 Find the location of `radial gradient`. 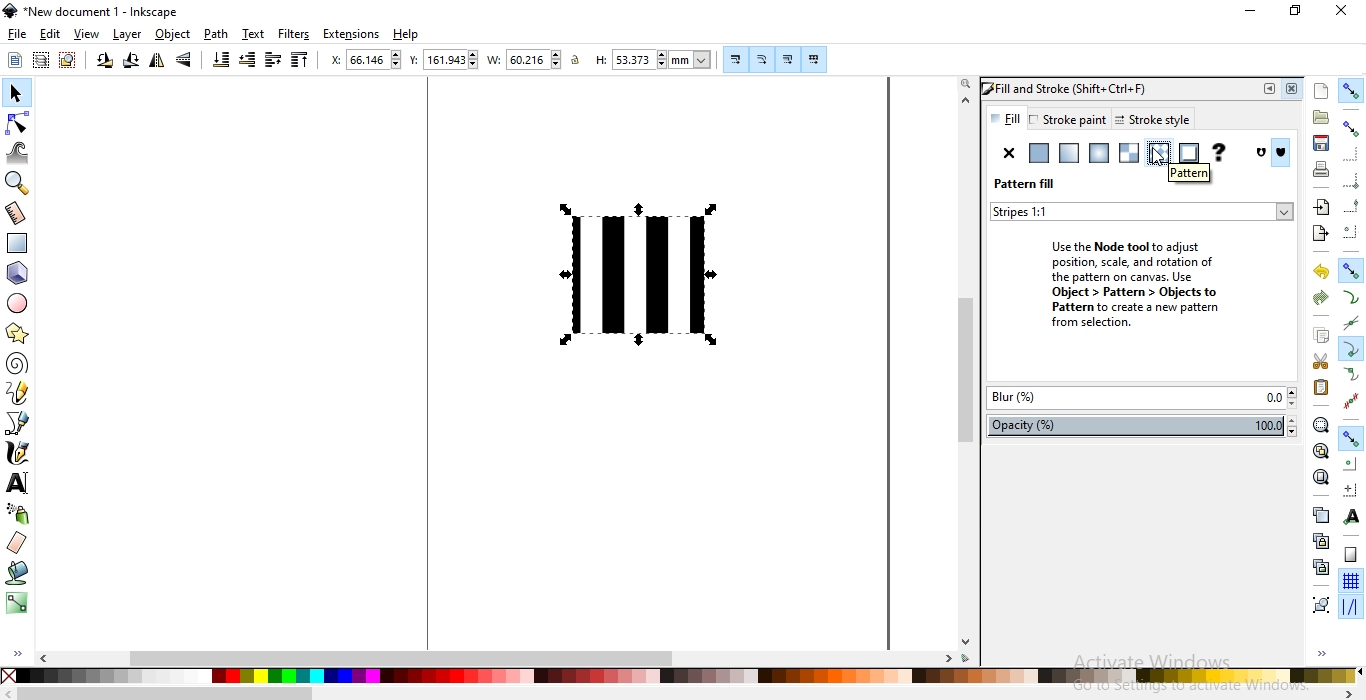

radial gradient is located at coordinates (1099, 154).